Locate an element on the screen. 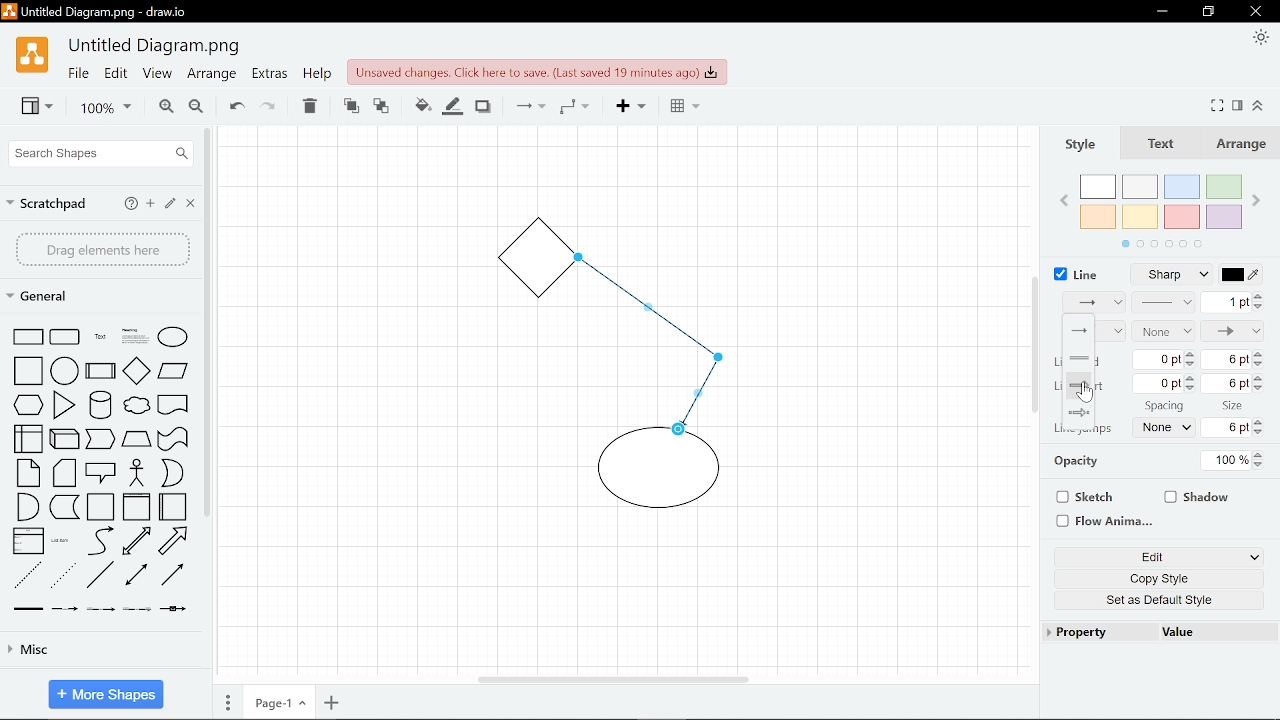 Image resolution: width=1280 pixels, height=720 pixels. Line jumps. is located at coordinates (1084, 430).